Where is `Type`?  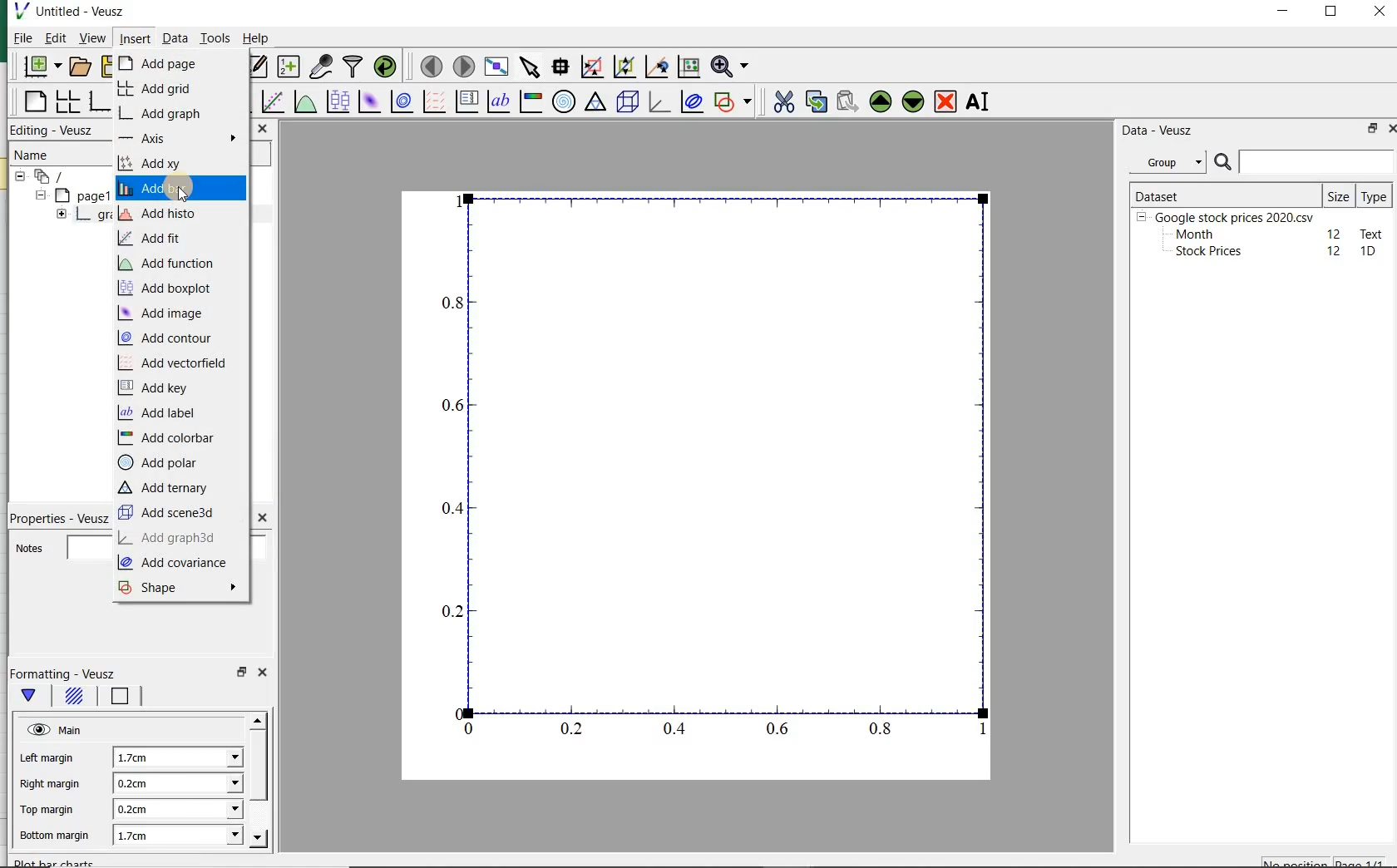
Type is located at coordinates (1374, 195).